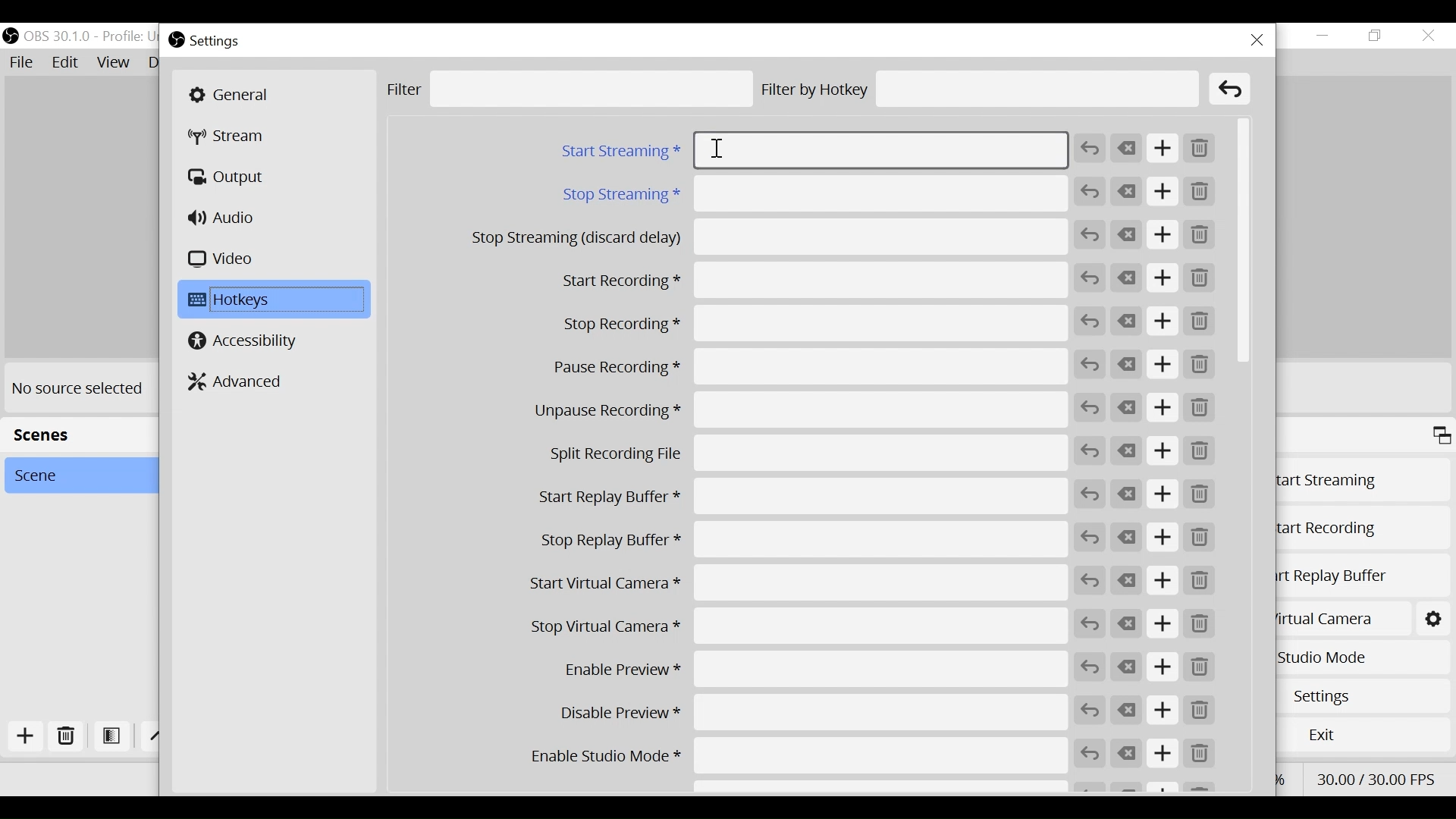 The width and height of the screenshot is (1456, 819). What do you see at coordinates (231, 136) in the screenshot?
I see `Stream` at bounding box center [231, 136].